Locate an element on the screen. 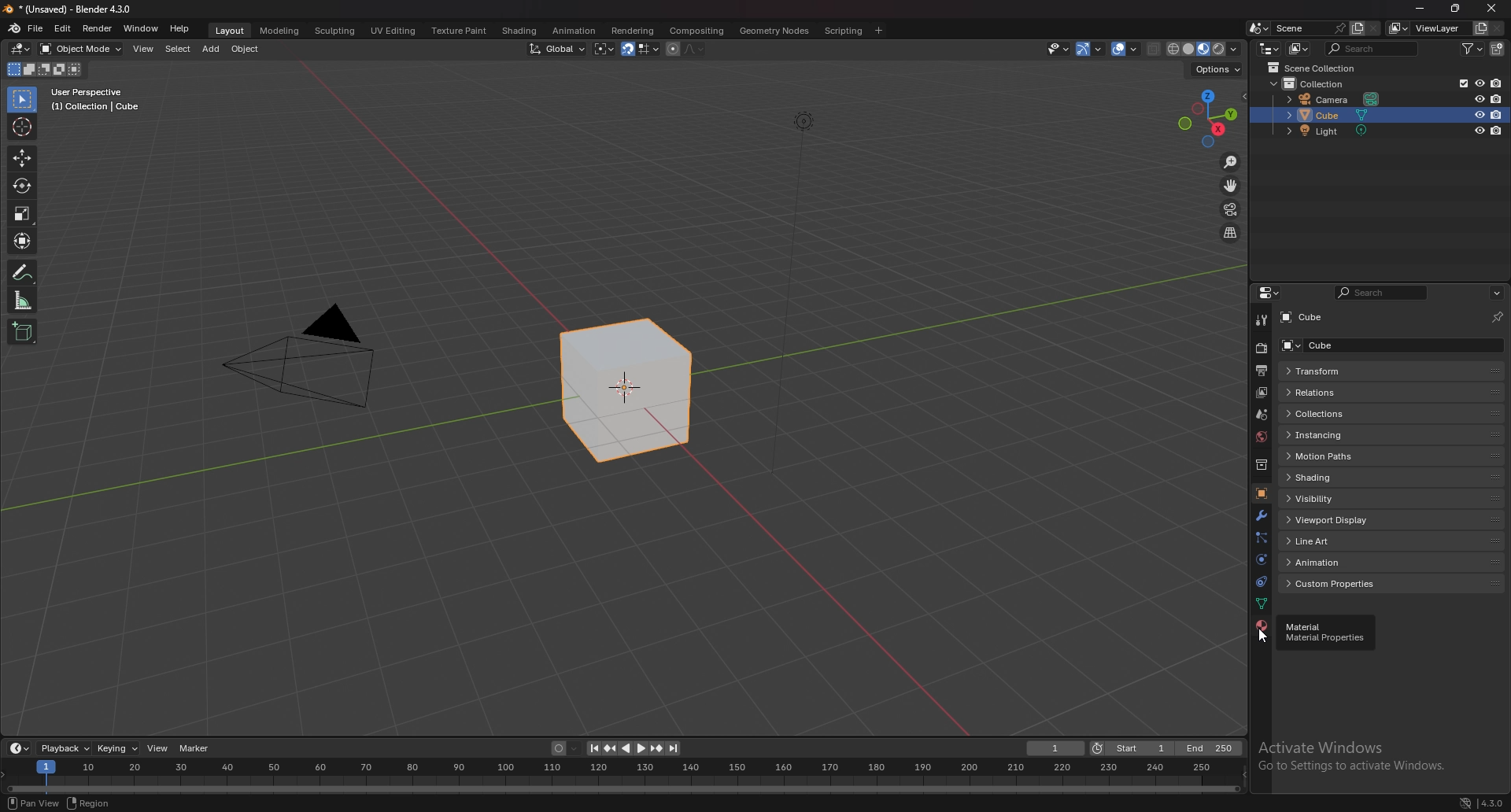 Image resolution: width=1511 pixels, height=812 pixels. add collection is located at coordinates (1498, 49).